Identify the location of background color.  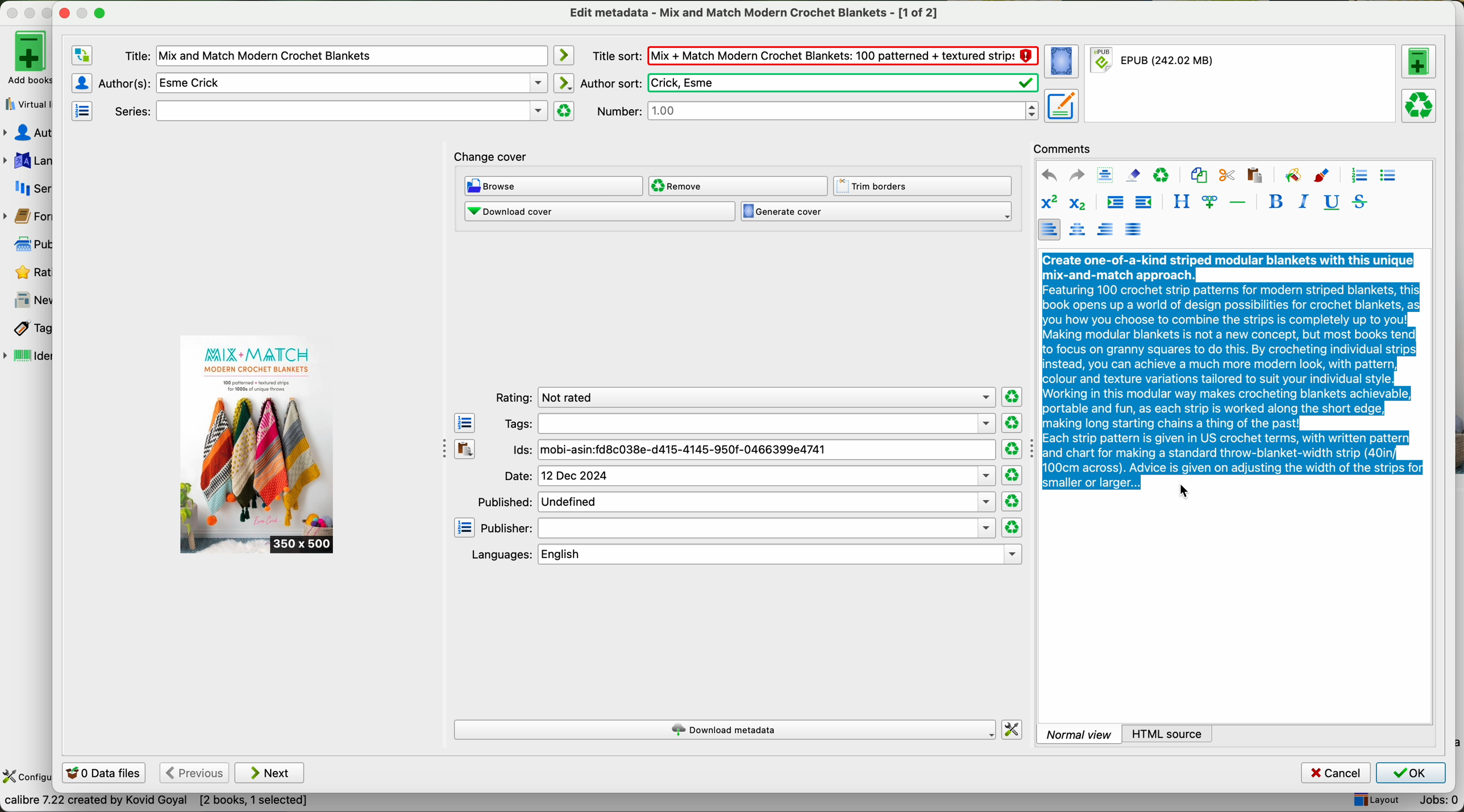
(1292, 174).